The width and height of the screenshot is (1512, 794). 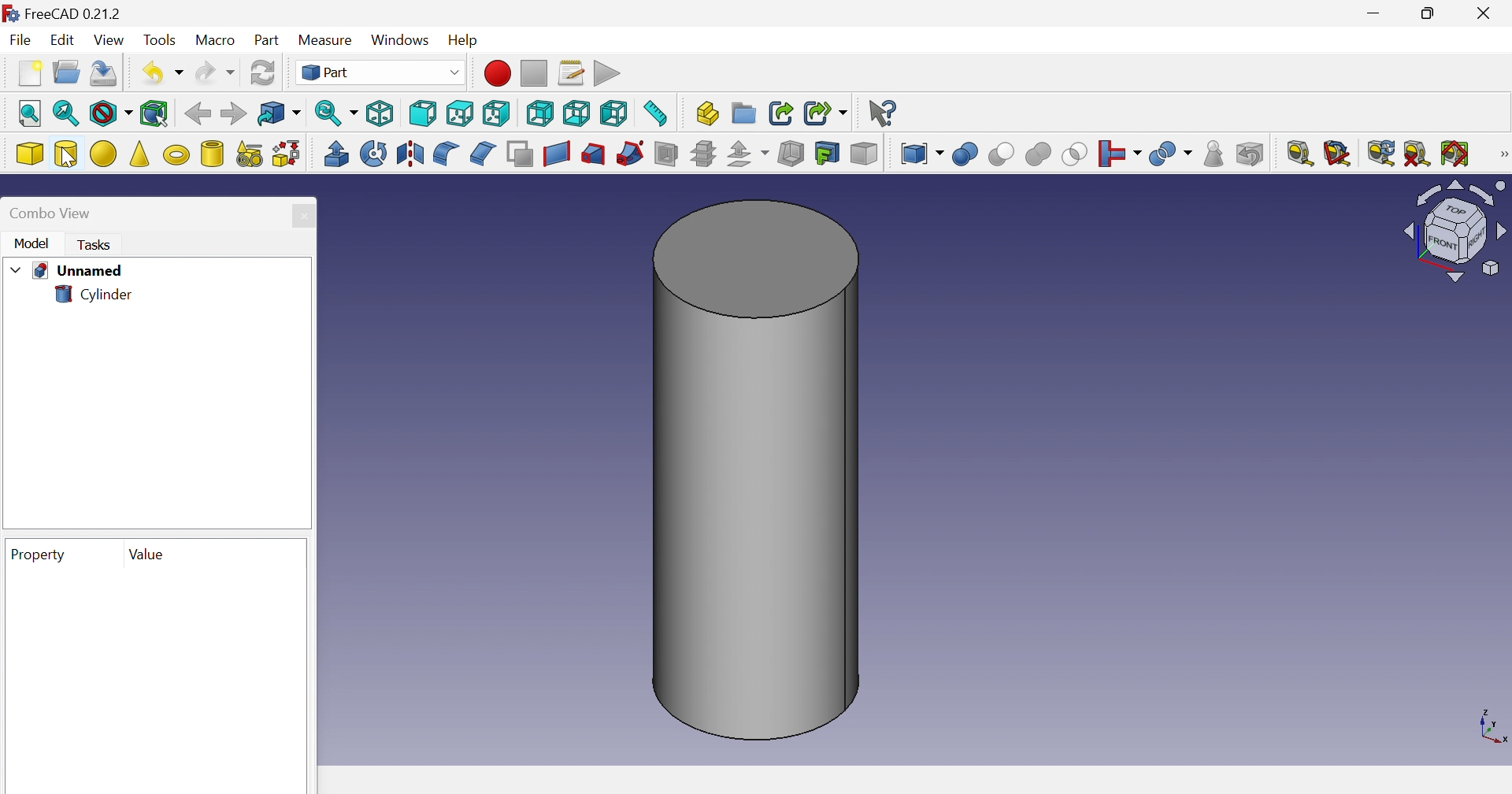 What do you see at coordinates (249, 153) in the screenshot?
I see `Create primitives` at bounding box center [249, 153].